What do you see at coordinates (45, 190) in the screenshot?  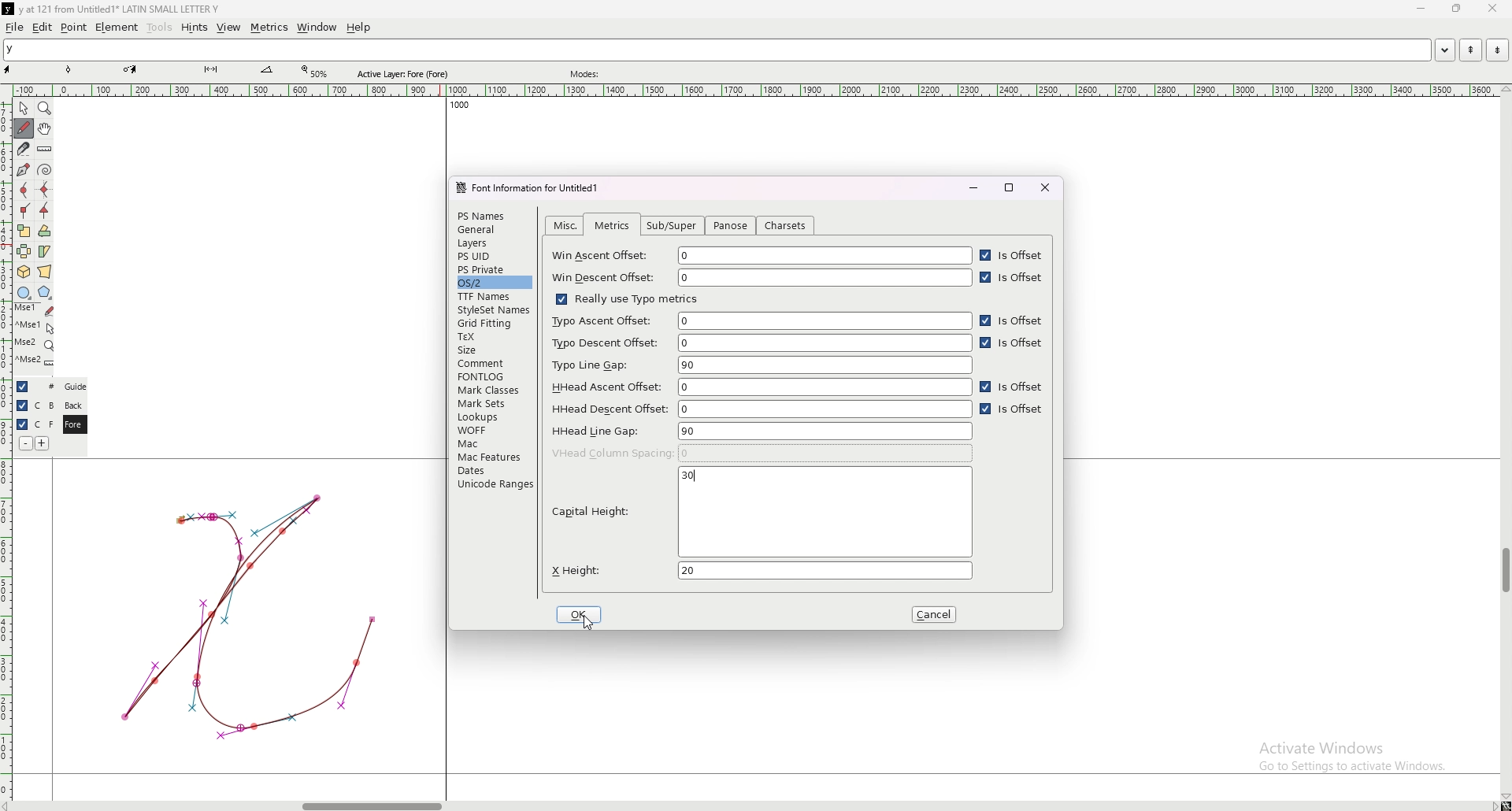 I see `add a horizontal or vertical curve point` at bounding box center [45, 190].